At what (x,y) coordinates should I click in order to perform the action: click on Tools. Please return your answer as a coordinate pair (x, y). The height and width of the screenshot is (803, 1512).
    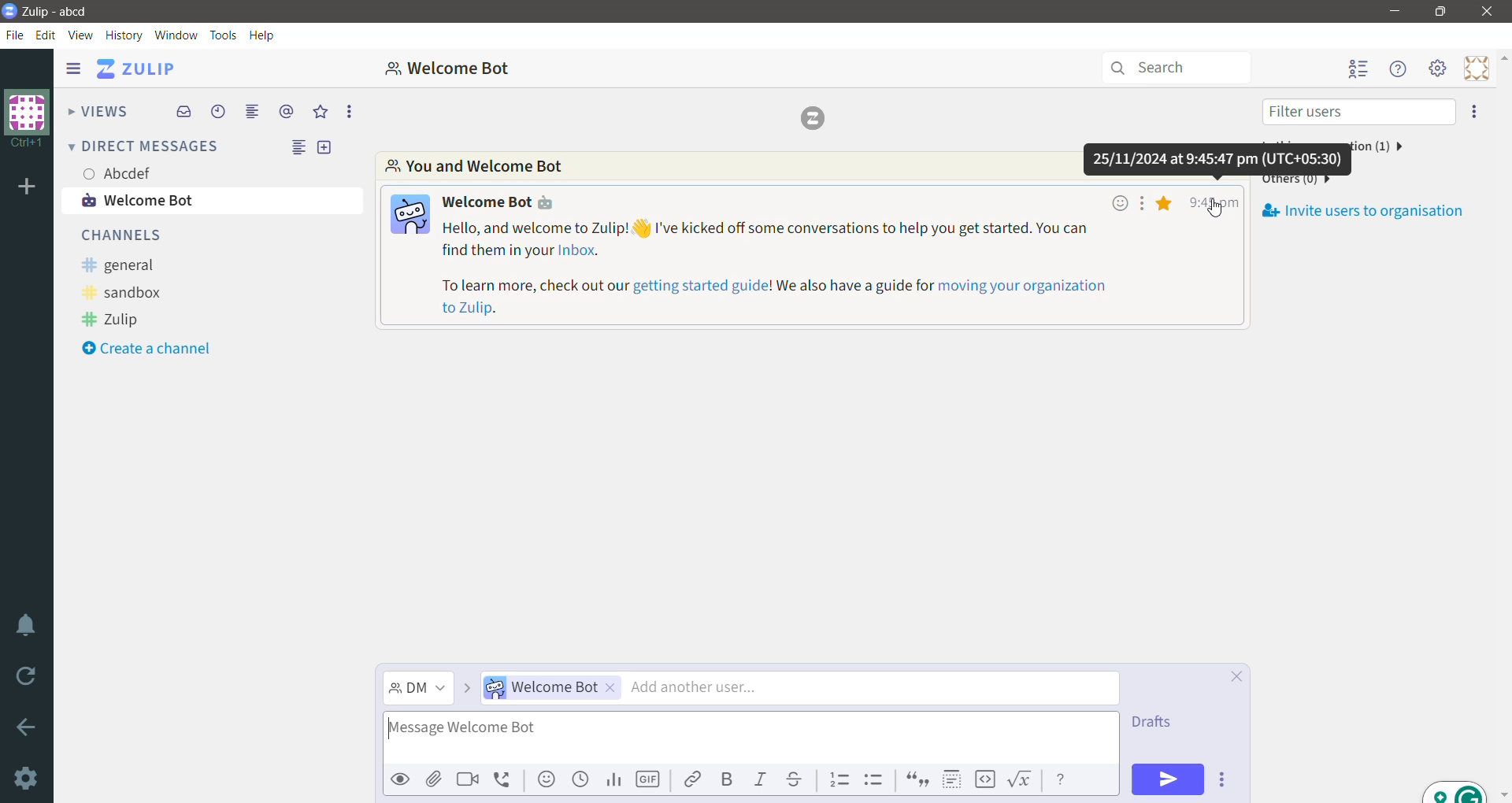
    Looking at the image, I should click on (220, 35).